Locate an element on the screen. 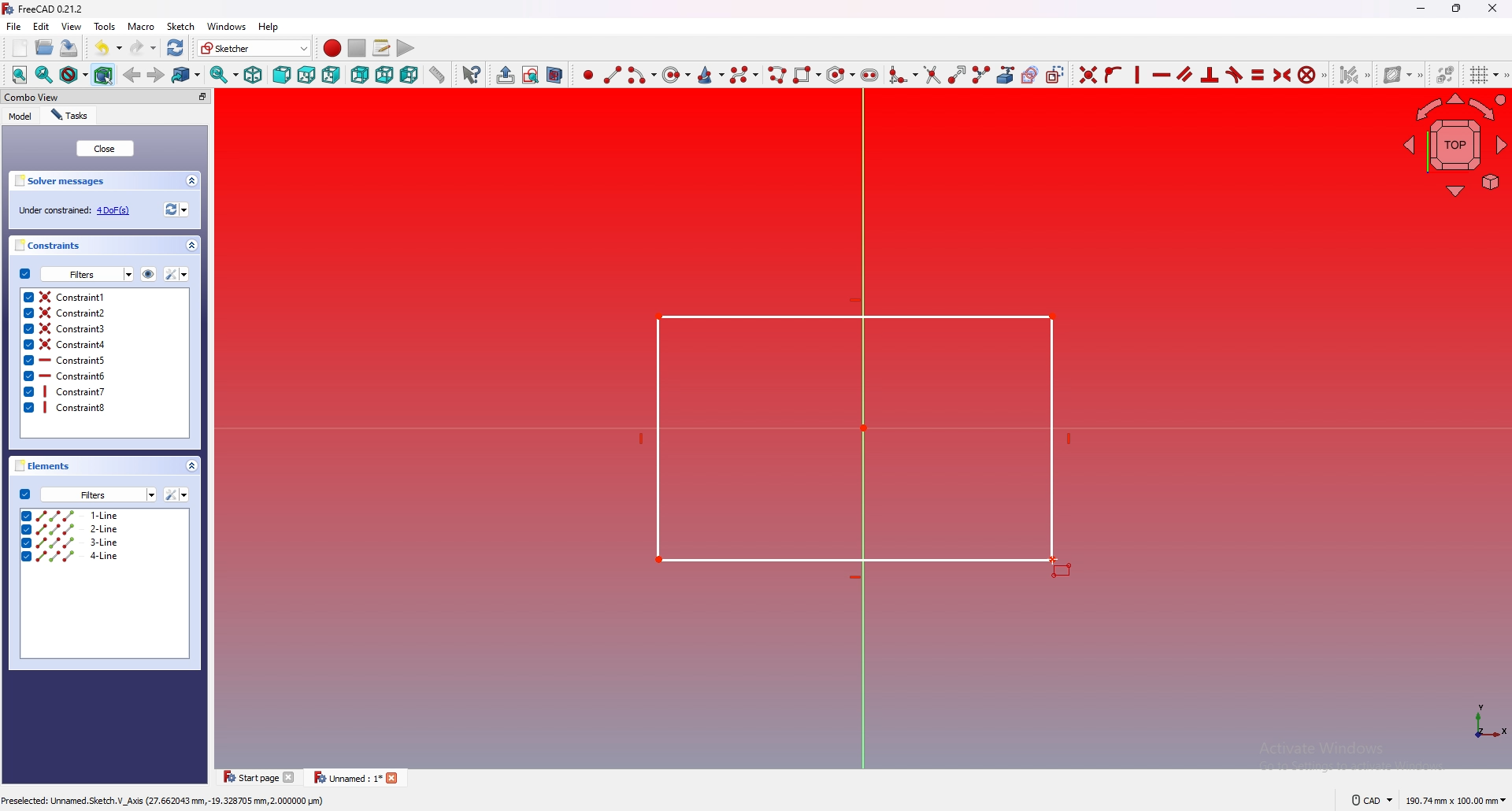 The image size is (1512, 811). create rectangle is located at coordinates (807, 74).